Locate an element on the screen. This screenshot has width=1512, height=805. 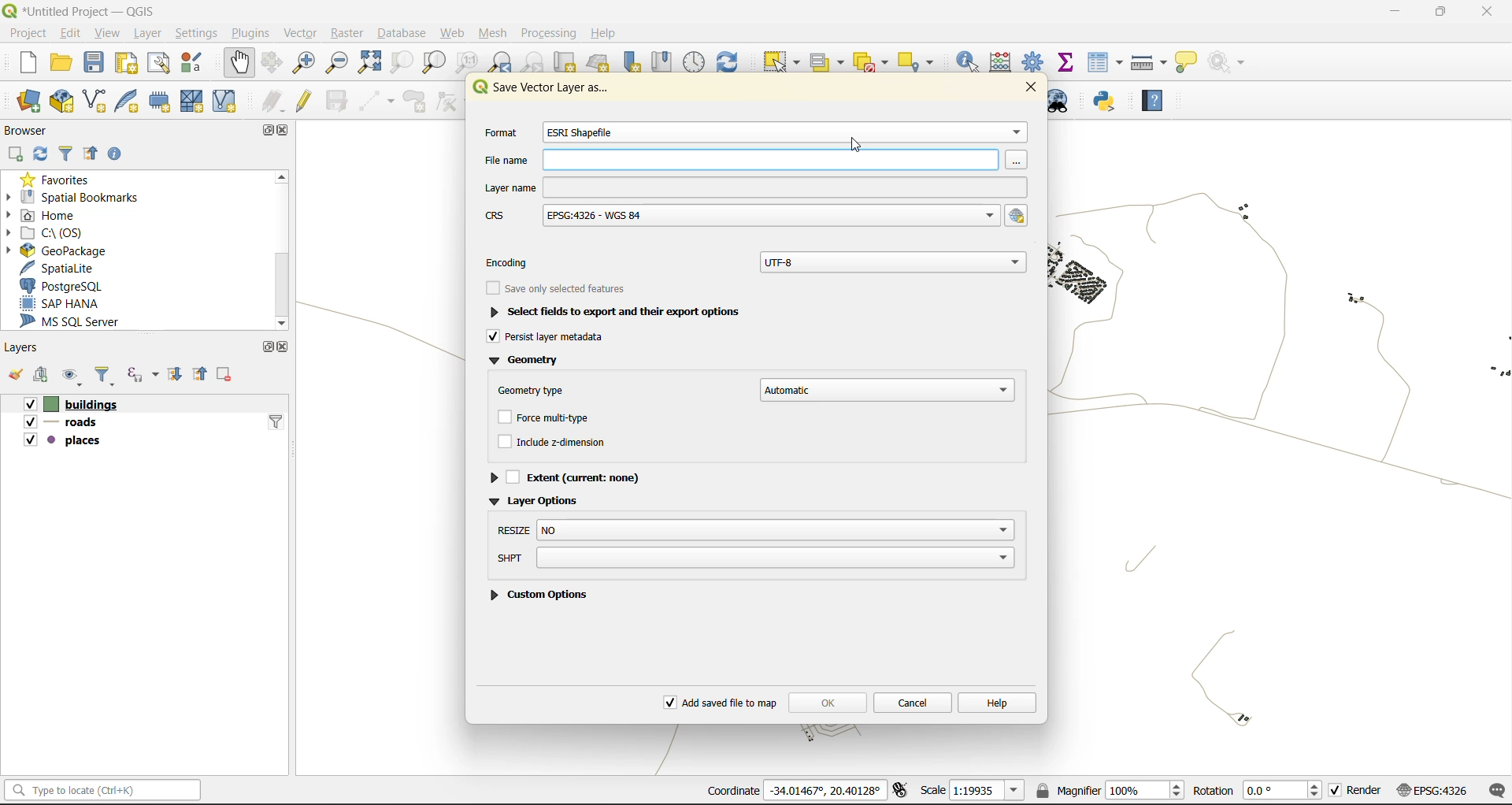
vertex tools is located at coordinates (450, 101).